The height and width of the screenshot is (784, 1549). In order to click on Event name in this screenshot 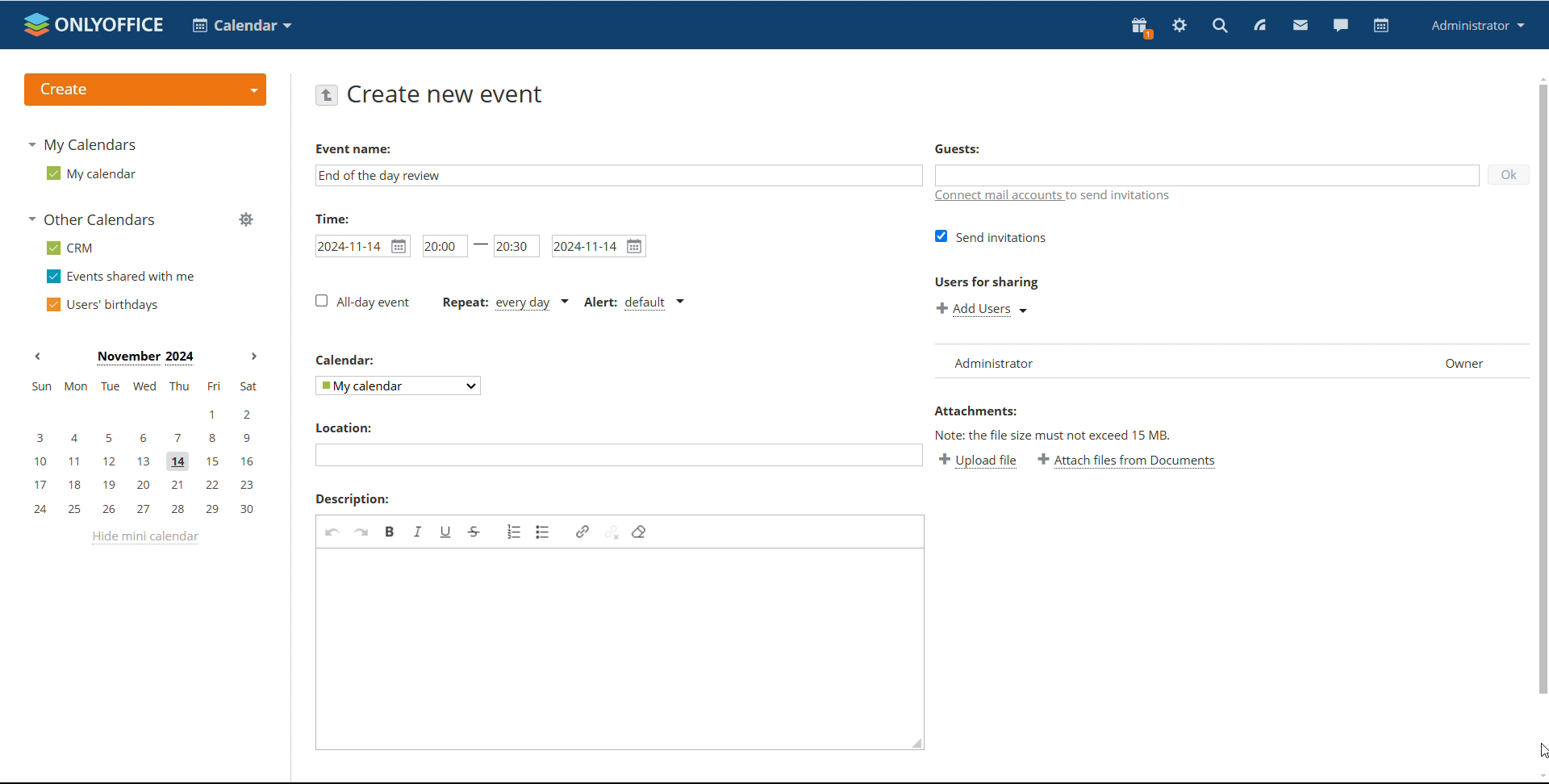, I will do `click(353, 149)`.